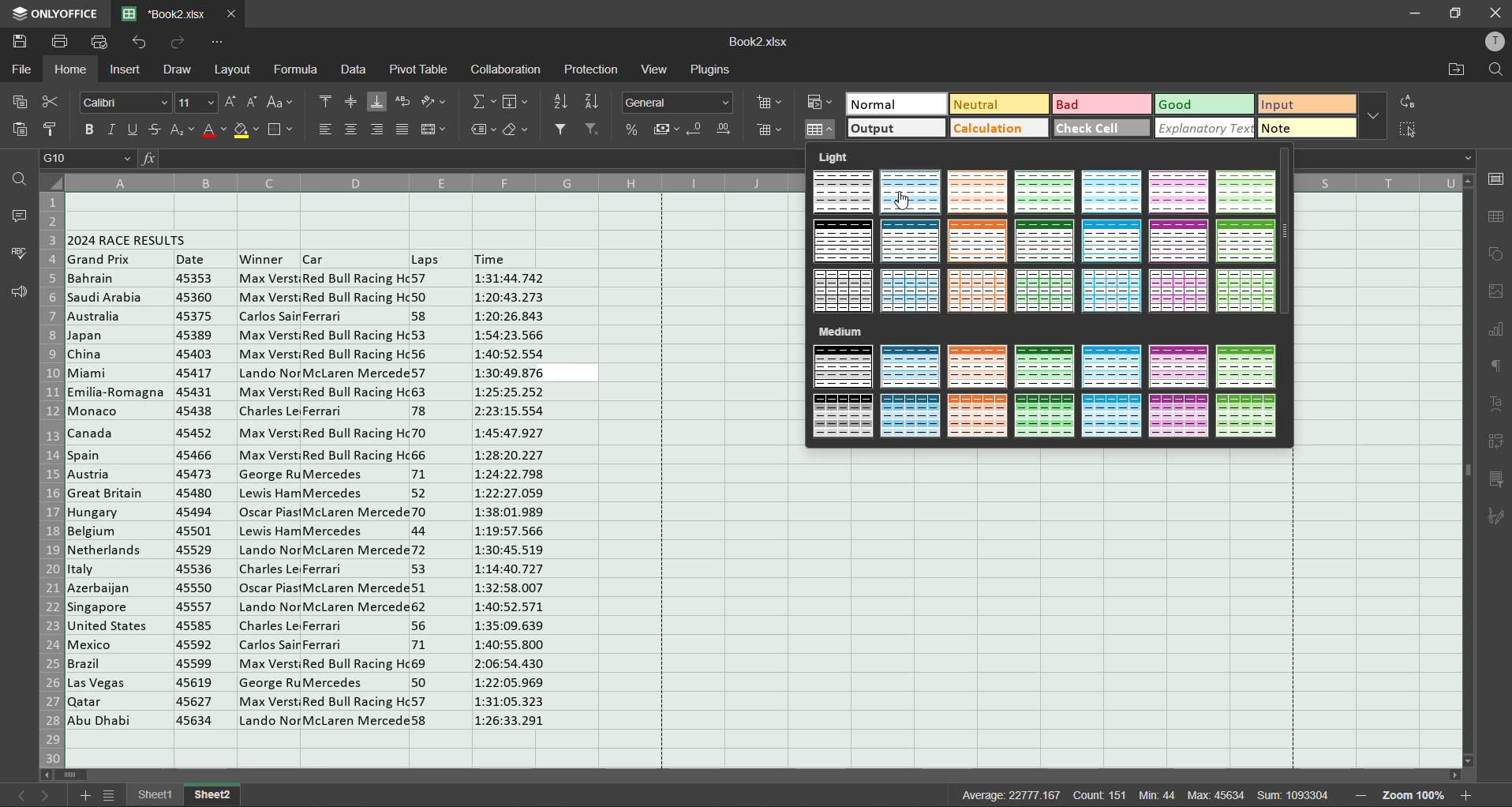 The width and height of the screenshot is (1512, 807). I want to click on view, so click(659, 71).